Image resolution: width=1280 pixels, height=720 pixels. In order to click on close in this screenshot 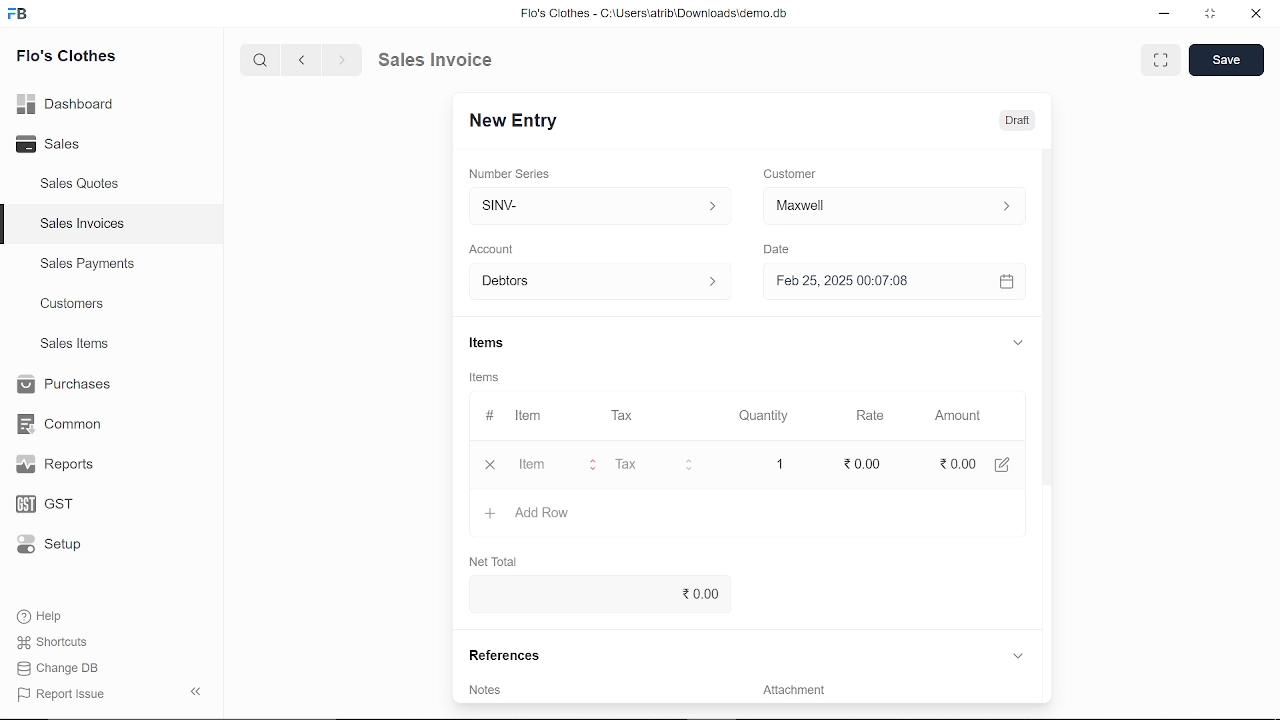, I will do `click(489, 465)`.